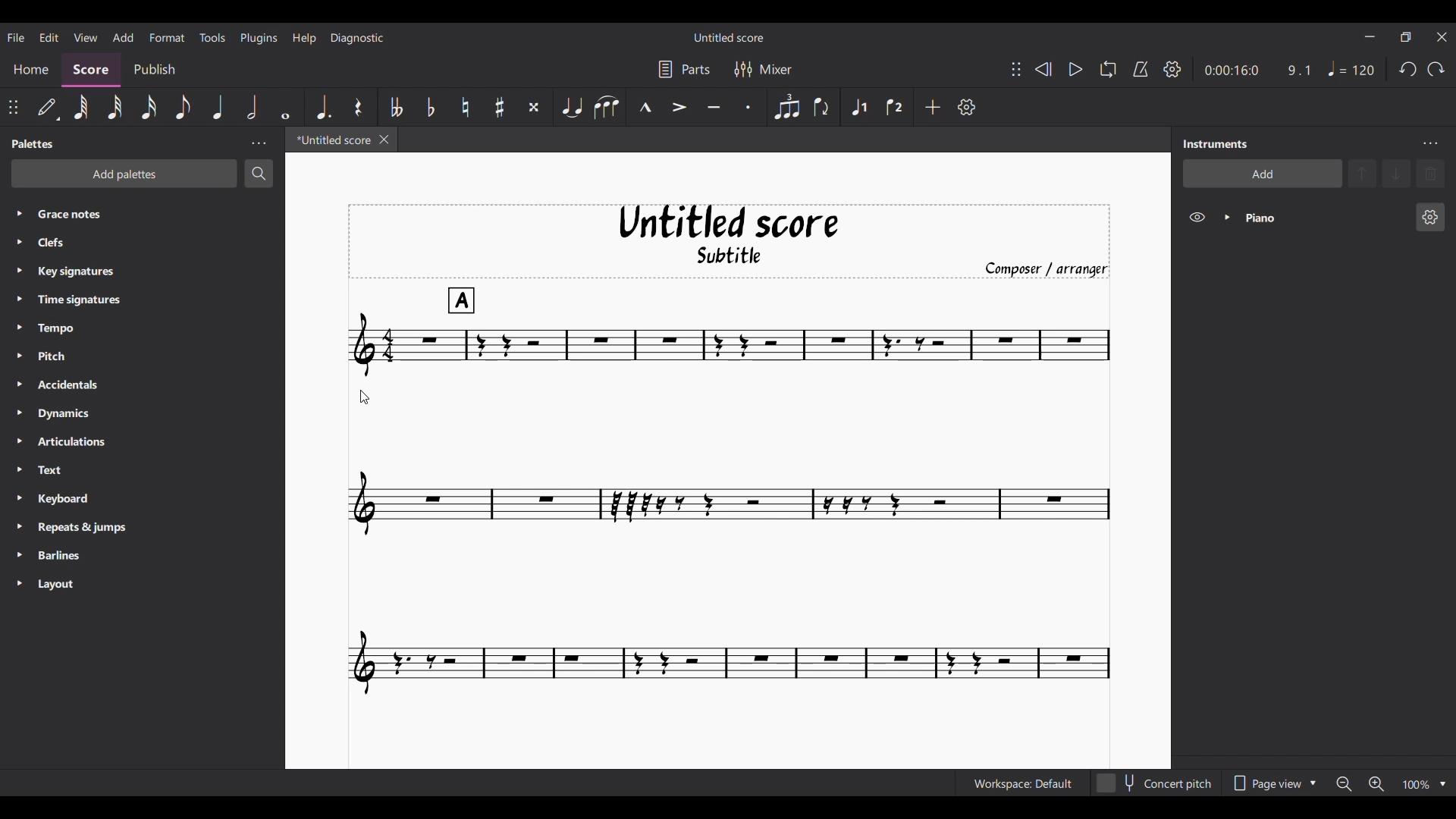 This screenshot has height=819, width=1456. I want to click on Hide instrument, so click(1197, 217).